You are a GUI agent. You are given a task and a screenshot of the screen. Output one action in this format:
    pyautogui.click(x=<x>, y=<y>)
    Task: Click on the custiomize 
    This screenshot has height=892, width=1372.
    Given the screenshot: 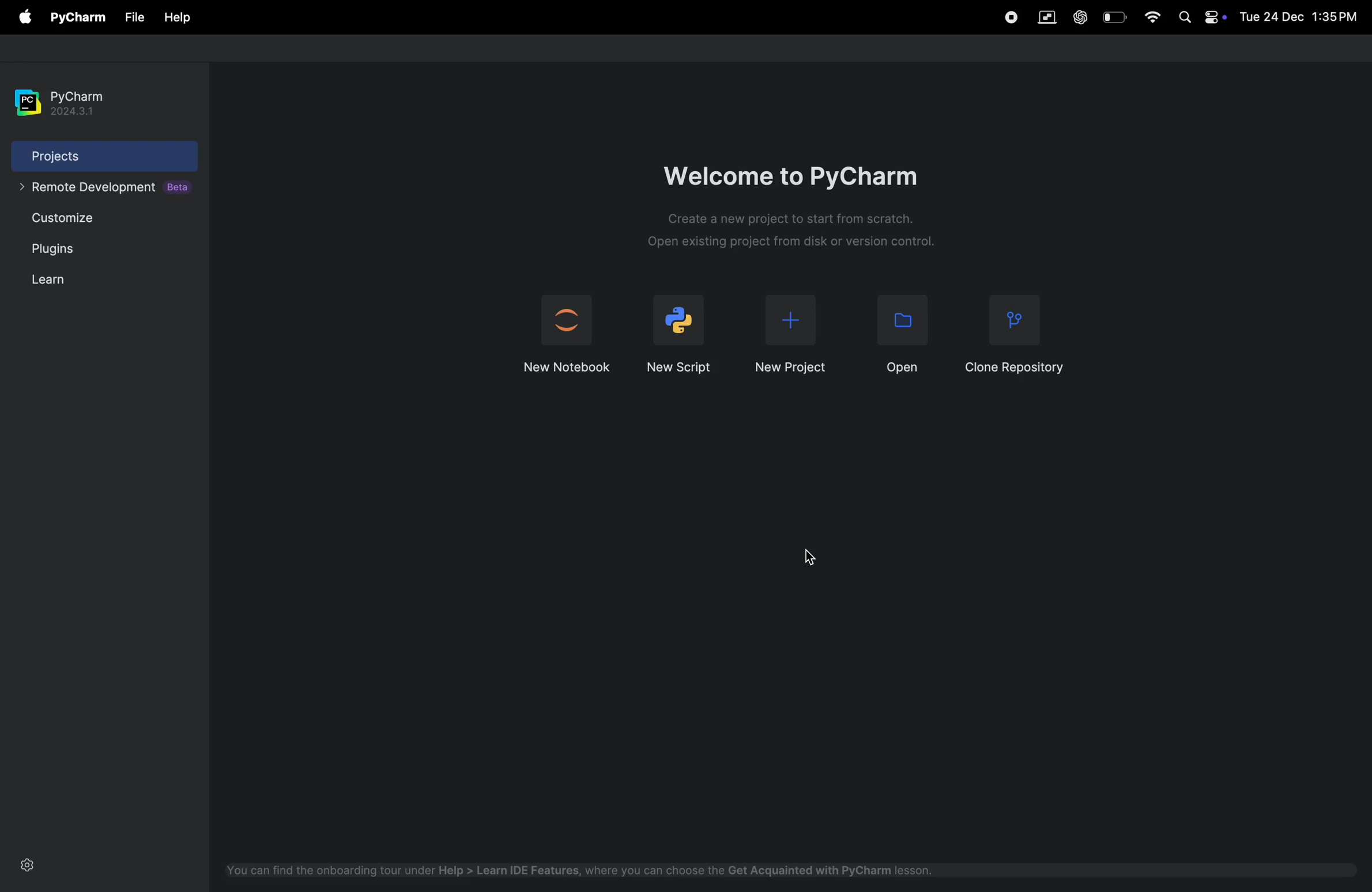 What is the action you would take?
    pyautogui.click(x=82, y=219)
    